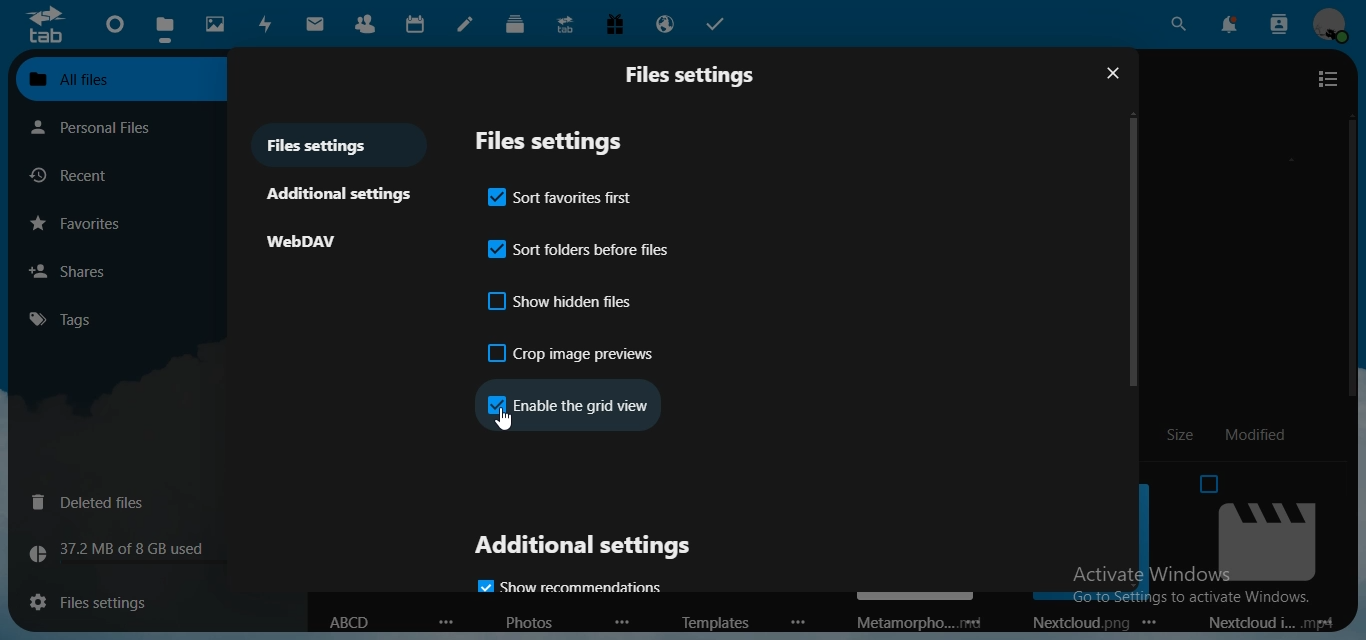  Describe the element at coordinates (1134, 255) in the screenshot. I see `scroll bar` at that location.